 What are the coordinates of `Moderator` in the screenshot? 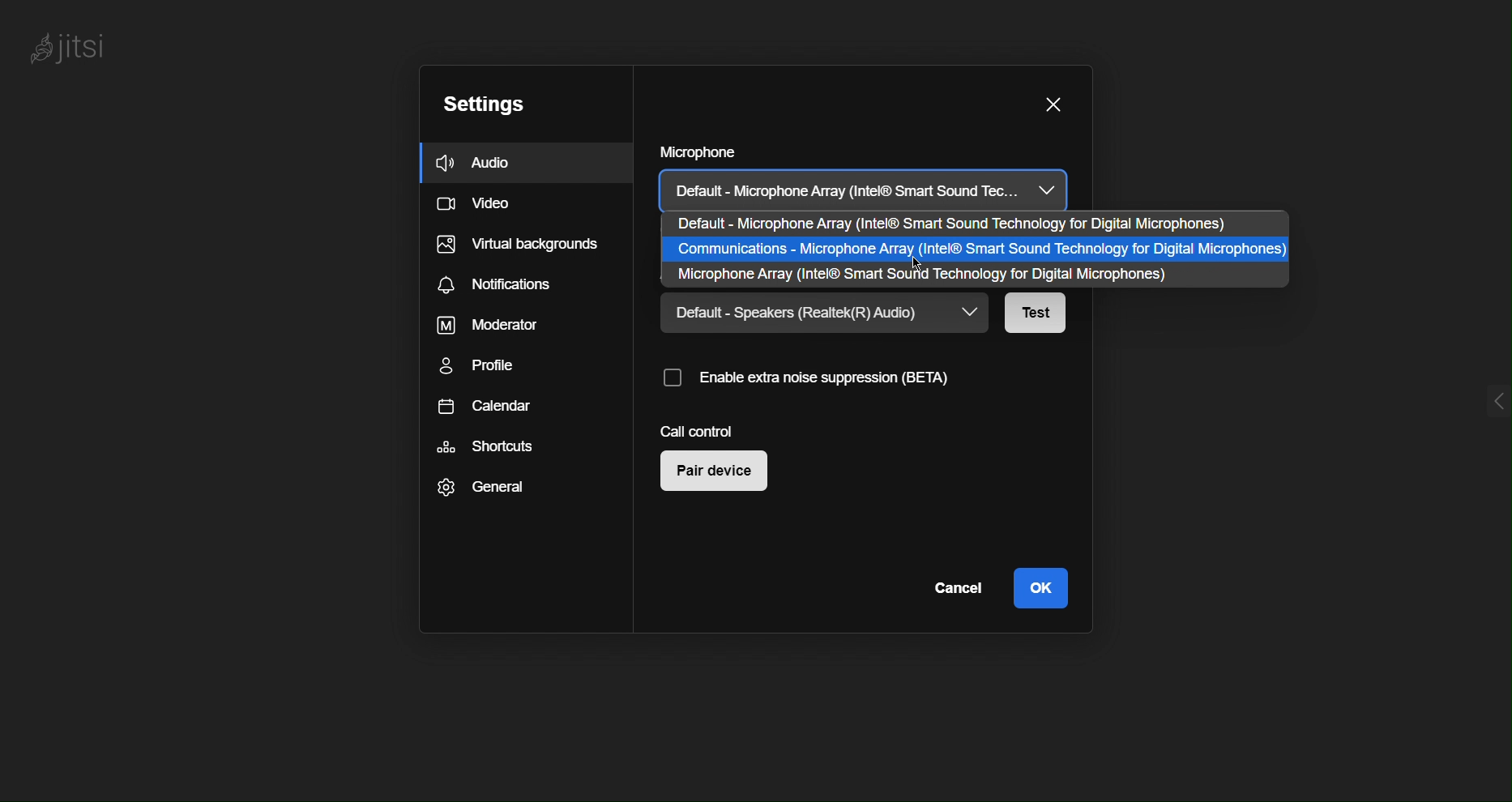 It's located at (485, 325).